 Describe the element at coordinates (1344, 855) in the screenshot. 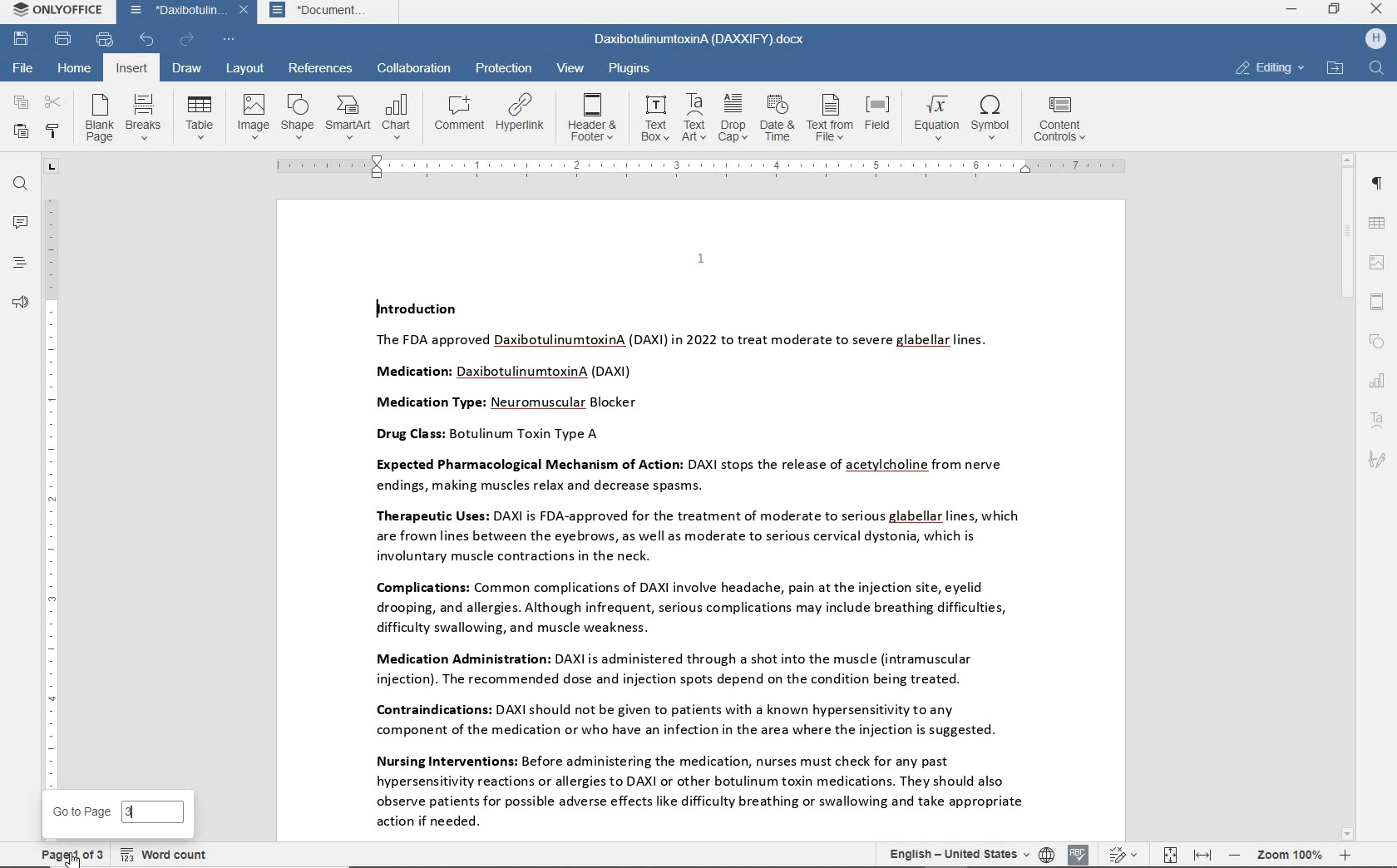

I see `zoom in` at that location.